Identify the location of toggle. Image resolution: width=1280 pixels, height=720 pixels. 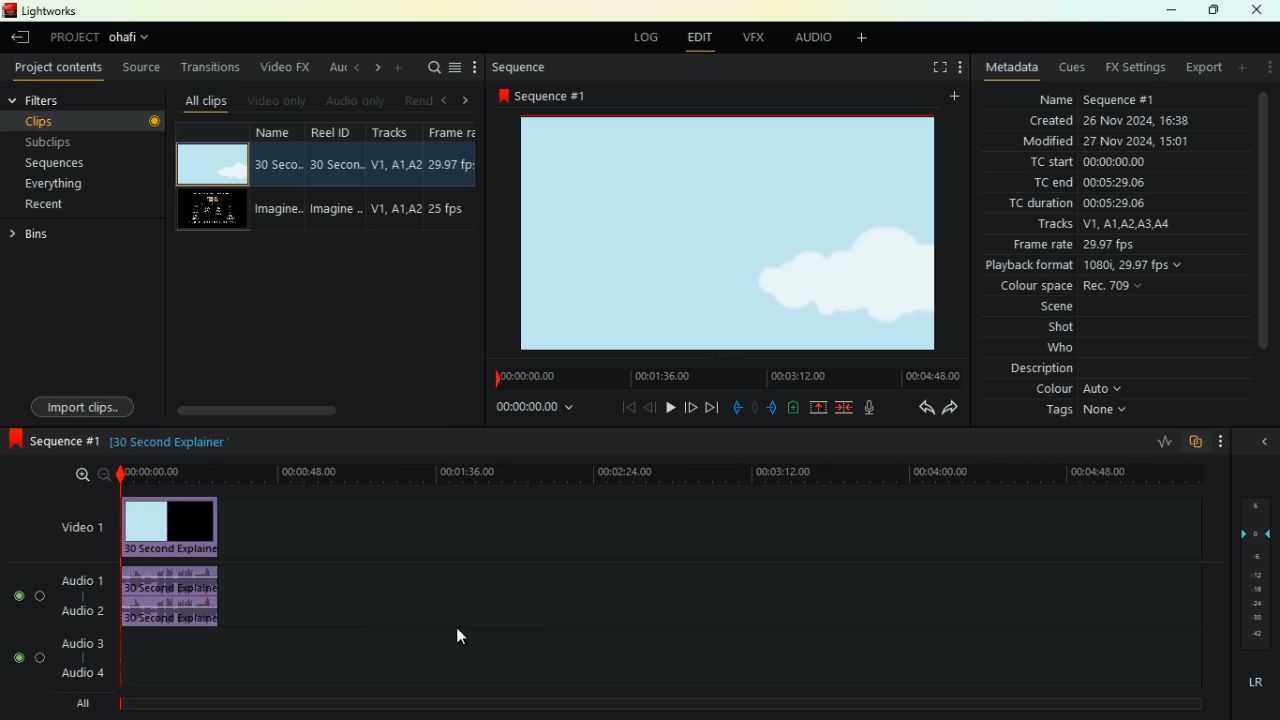
(19, 596).